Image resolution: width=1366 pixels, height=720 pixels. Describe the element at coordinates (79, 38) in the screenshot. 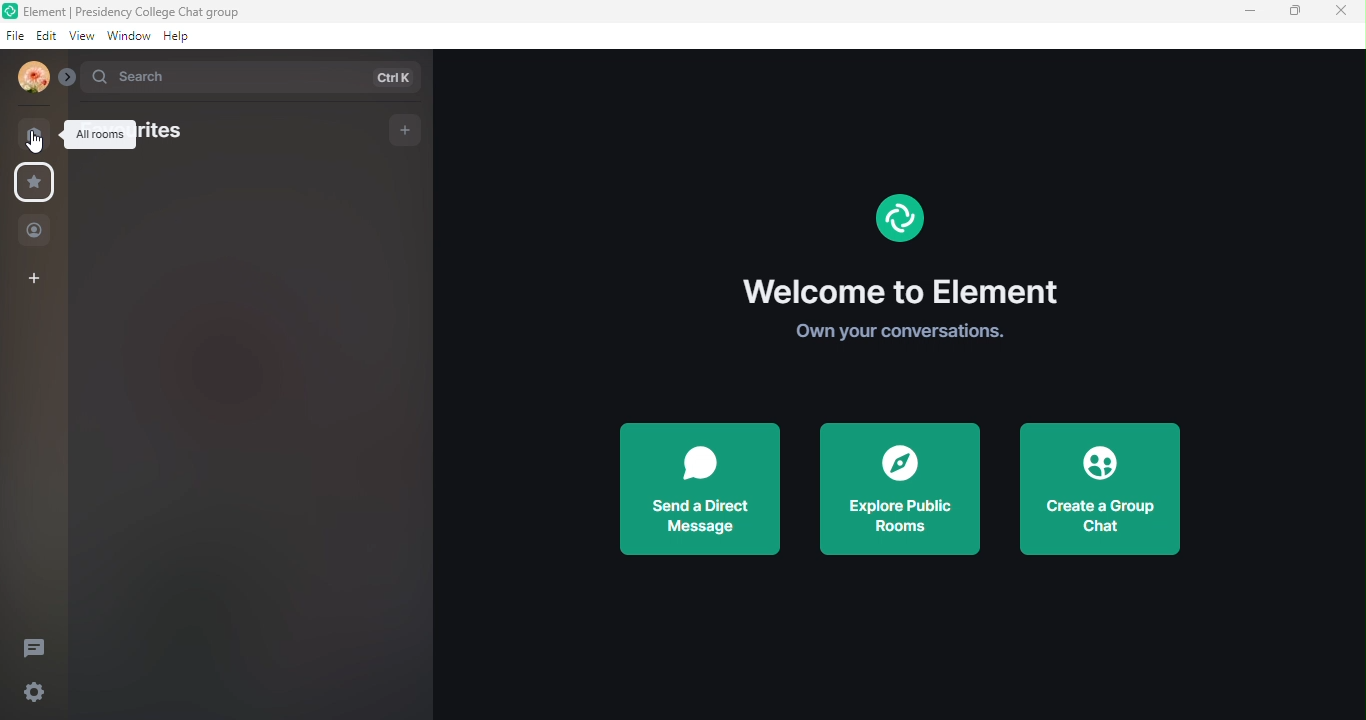

I see `view` at that location.